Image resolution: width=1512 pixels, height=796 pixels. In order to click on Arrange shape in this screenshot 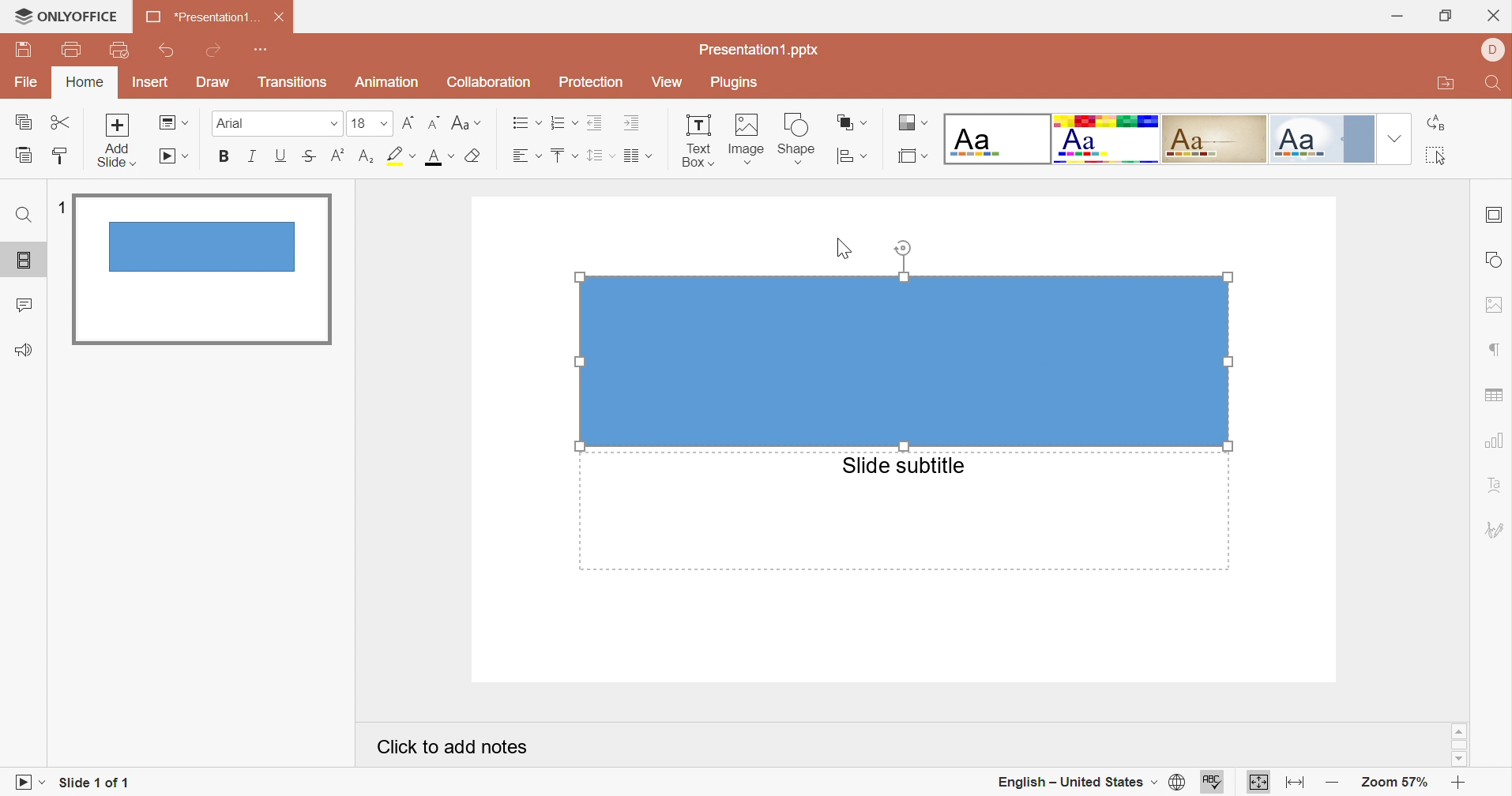, I will do `click(850, 123)`.